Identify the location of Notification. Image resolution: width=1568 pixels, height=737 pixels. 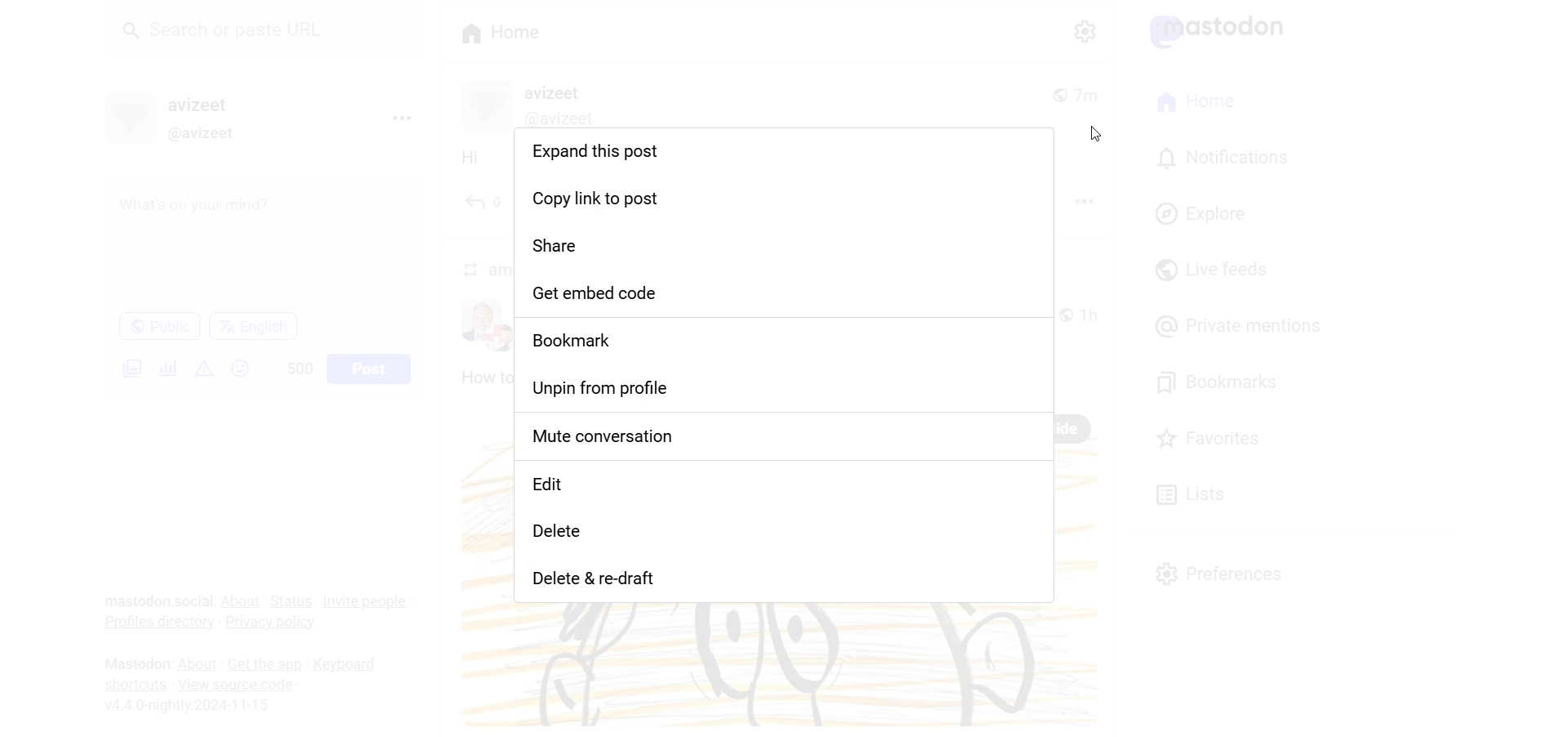
(1221, 159).